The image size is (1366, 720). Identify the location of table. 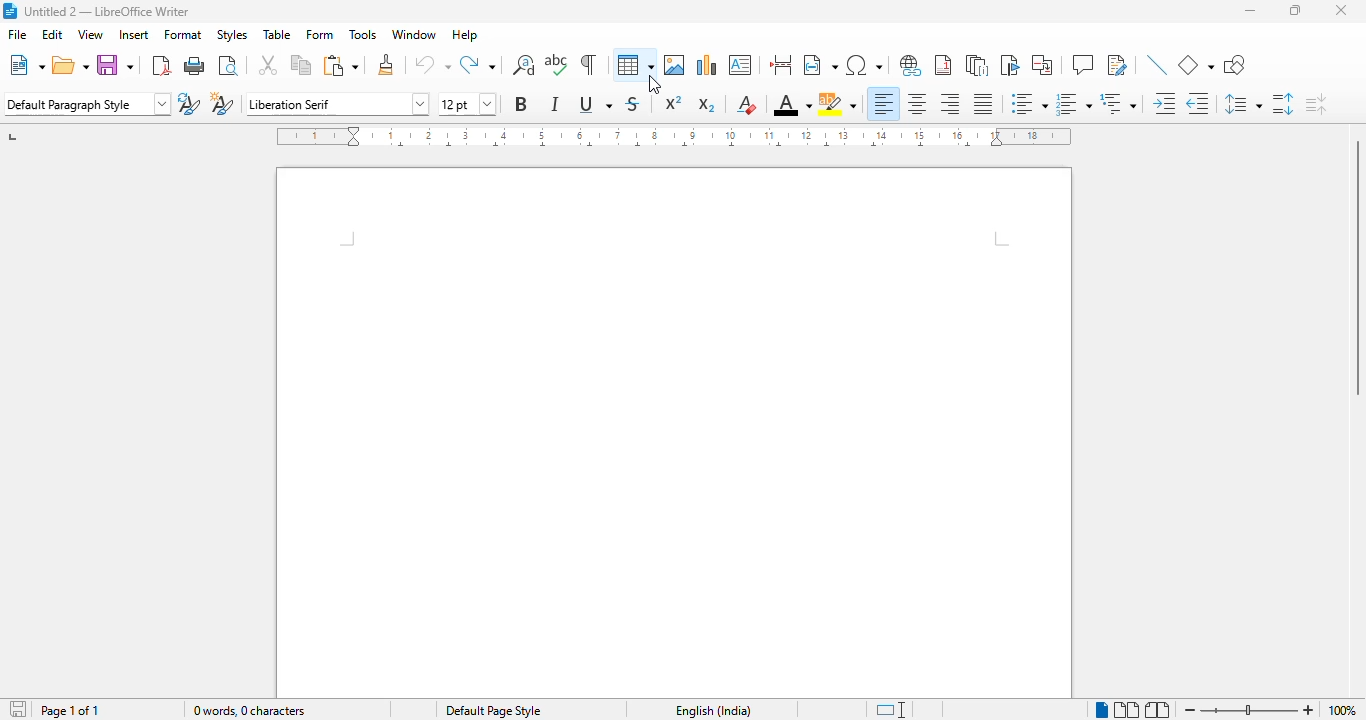
(634, 64).